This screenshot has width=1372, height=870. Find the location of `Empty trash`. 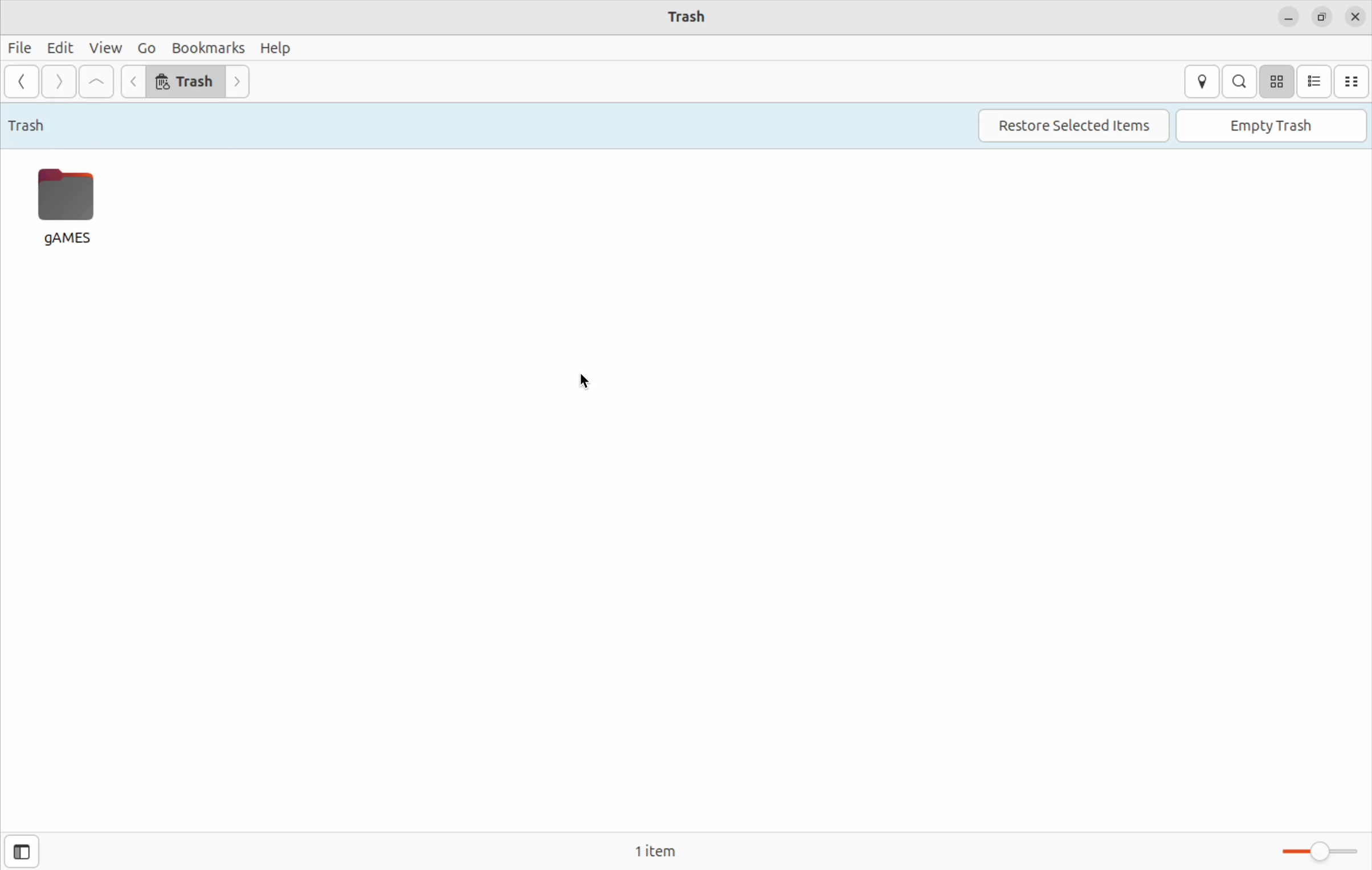

Empty trash is located at coordinates (1273, 125).